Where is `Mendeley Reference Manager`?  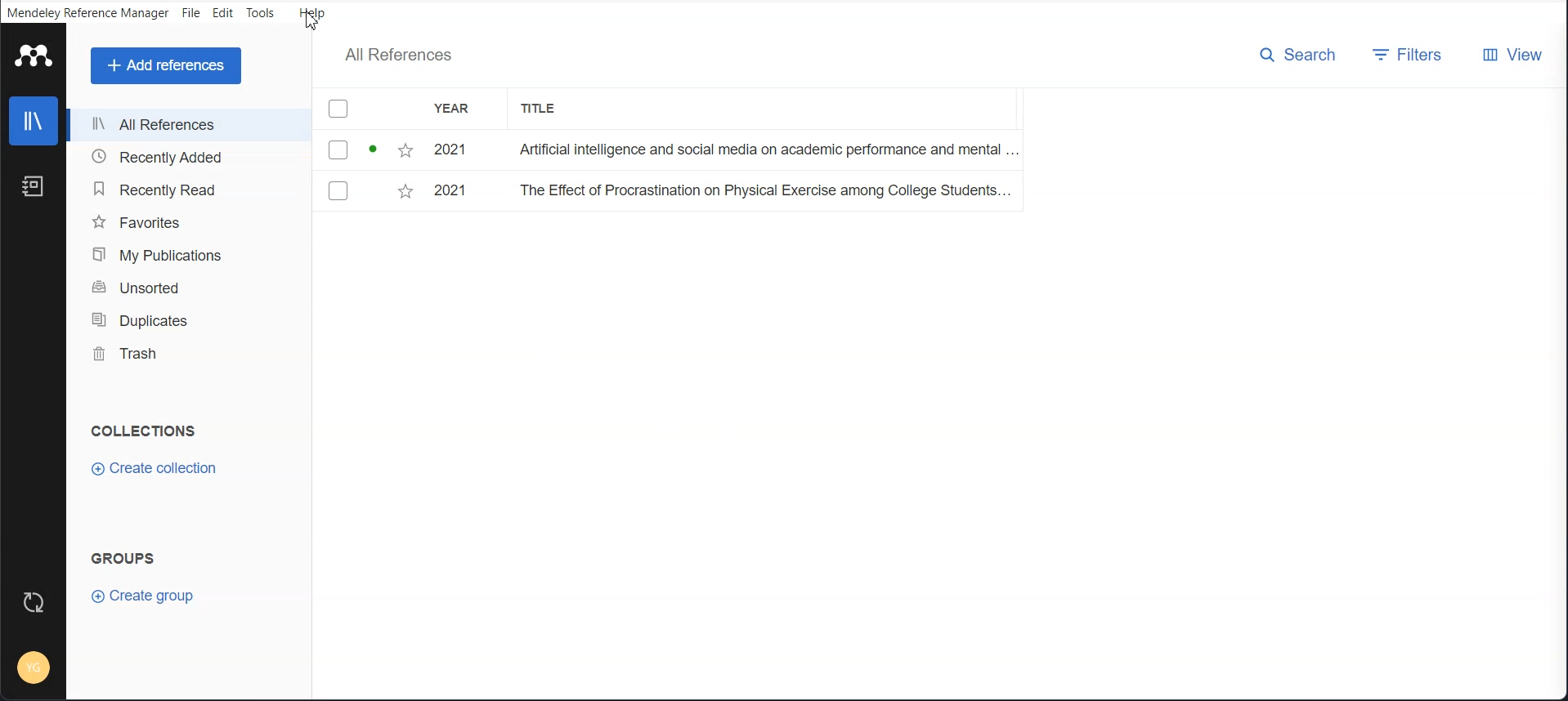
Mendeley Reference Manager is located at coordinates (88, 13).